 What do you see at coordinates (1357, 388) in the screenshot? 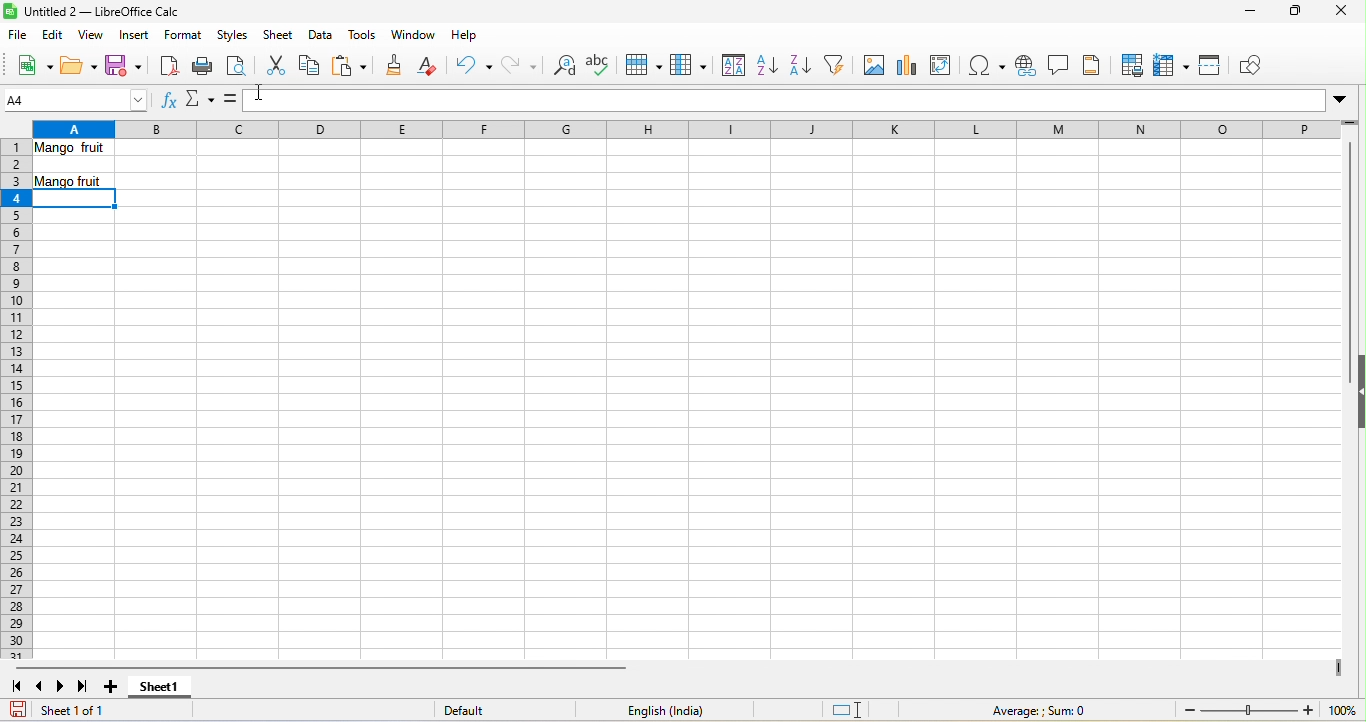
I see `height` at bounding box center [1357, 388].